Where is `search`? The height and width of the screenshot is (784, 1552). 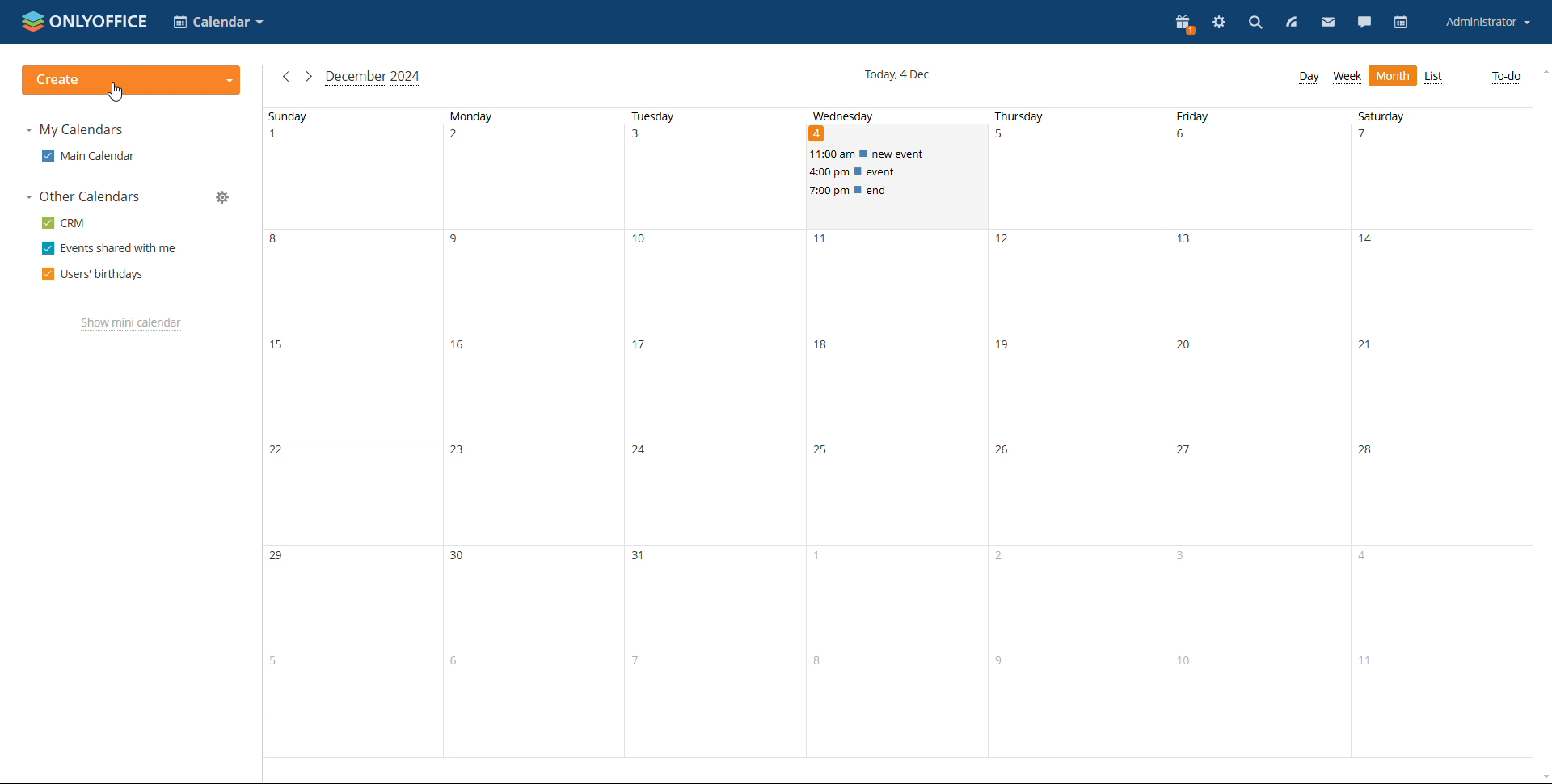
search is located at coordinates (1255, 23).